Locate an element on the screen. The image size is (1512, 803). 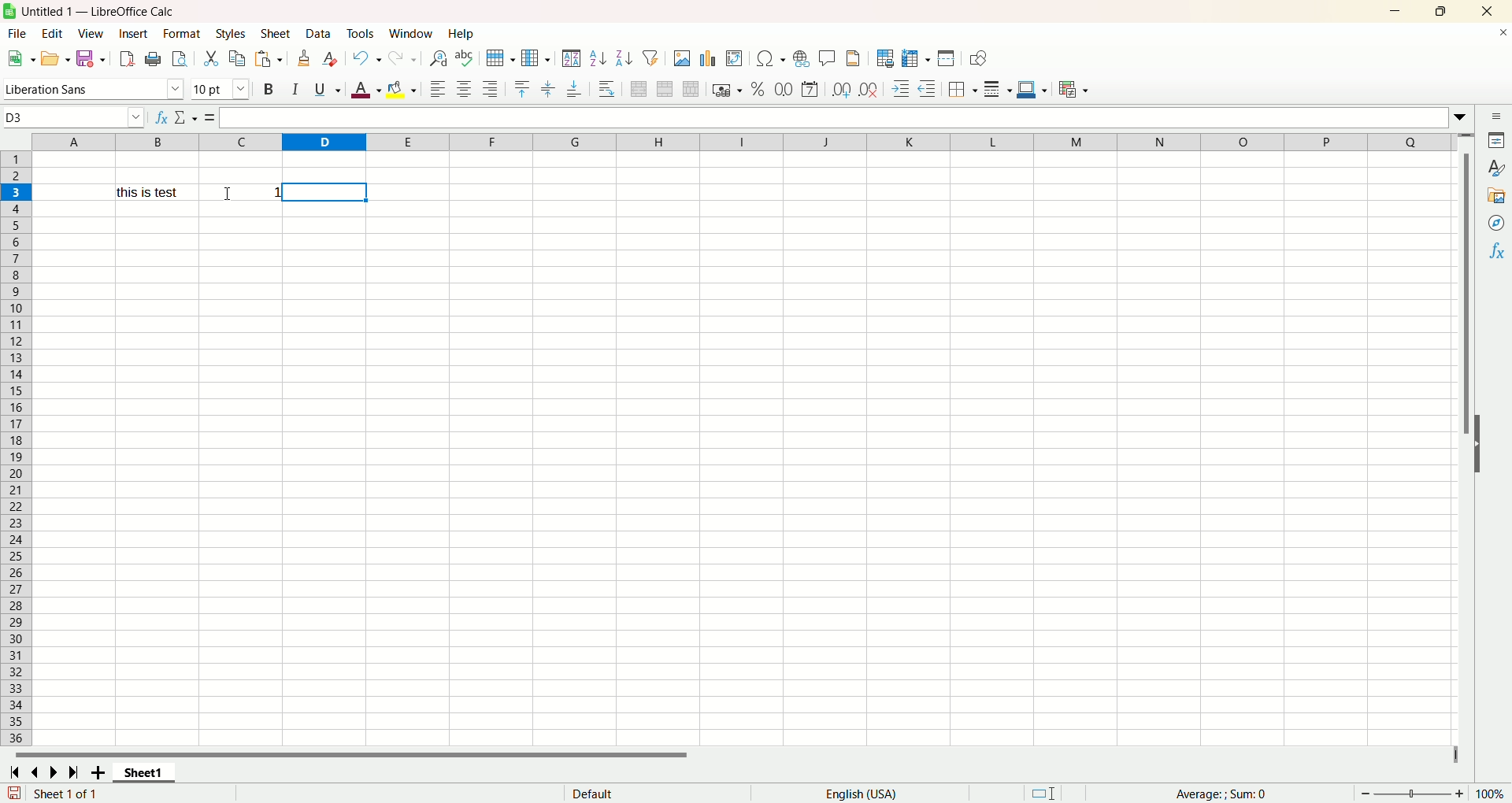
file is located at coordinates (19, 34).